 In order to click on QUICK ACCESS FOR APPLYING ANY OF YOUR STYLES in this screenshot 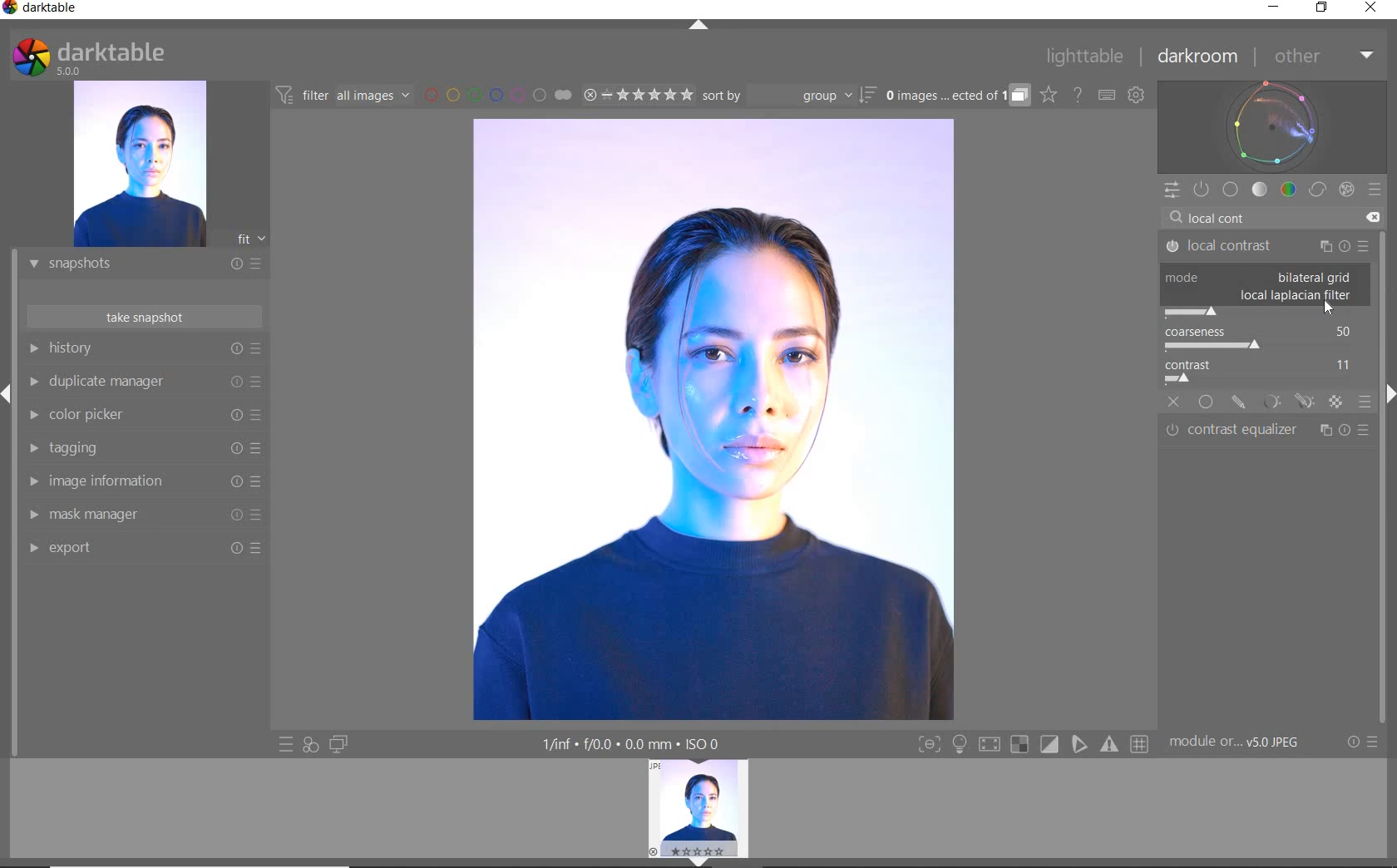, I will do `click(309, 744)`.